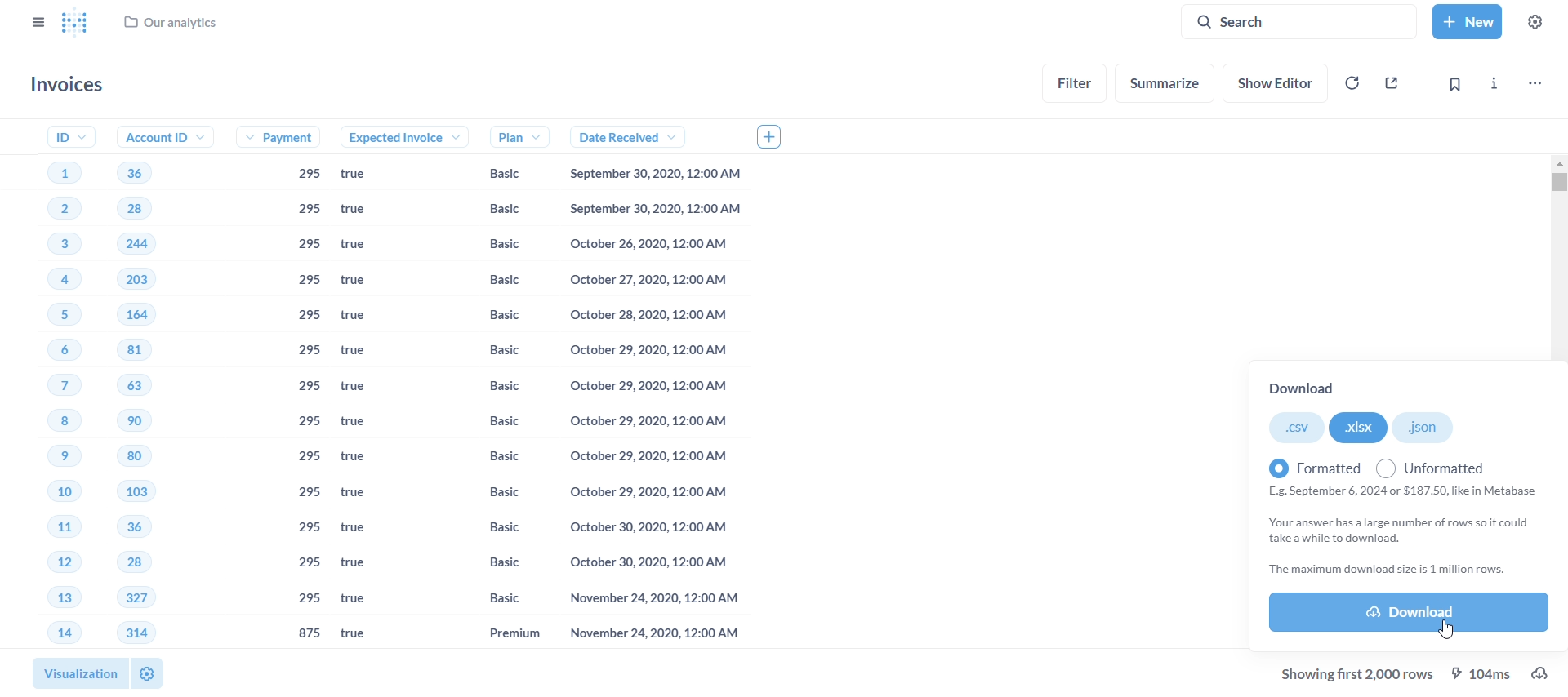 This screenshot has width=1568, height=697. What do you see at coordinates (62, 136) in the screenshot?
I see `ID` at bounding box center [62, 136].